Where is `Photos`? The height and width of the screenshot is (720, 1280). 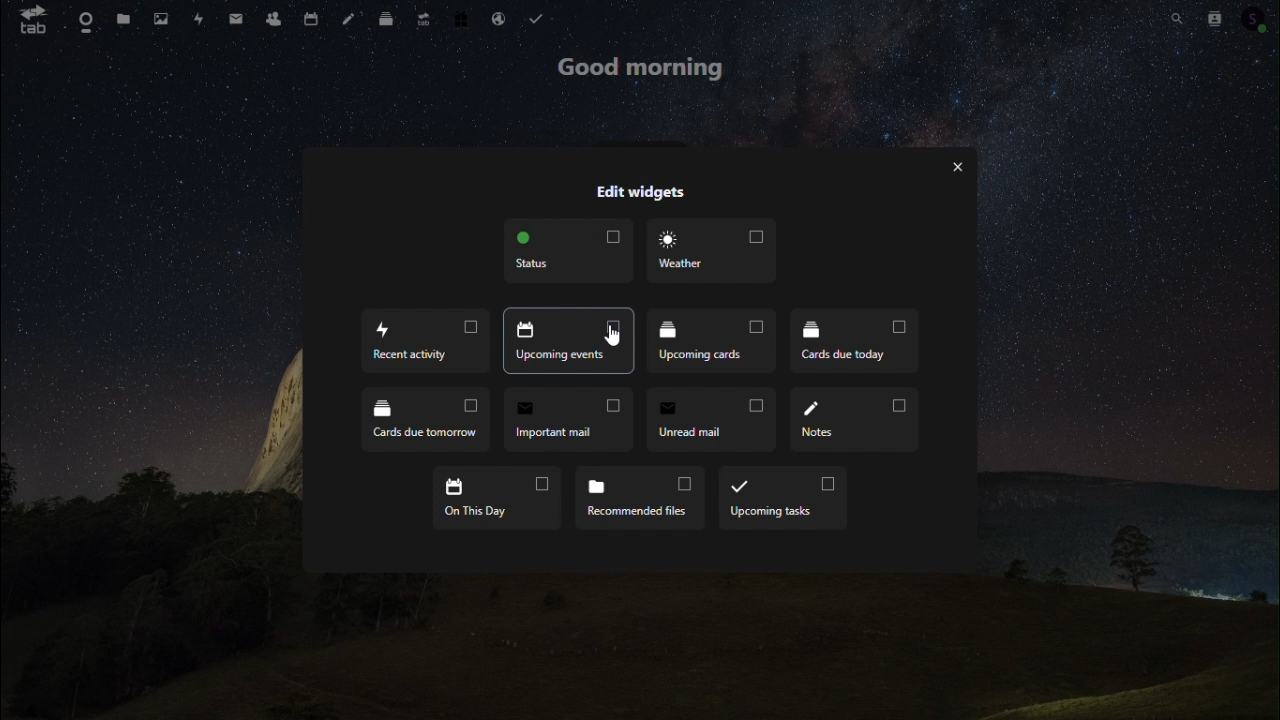
Photos is located at coordinates (159, 18).